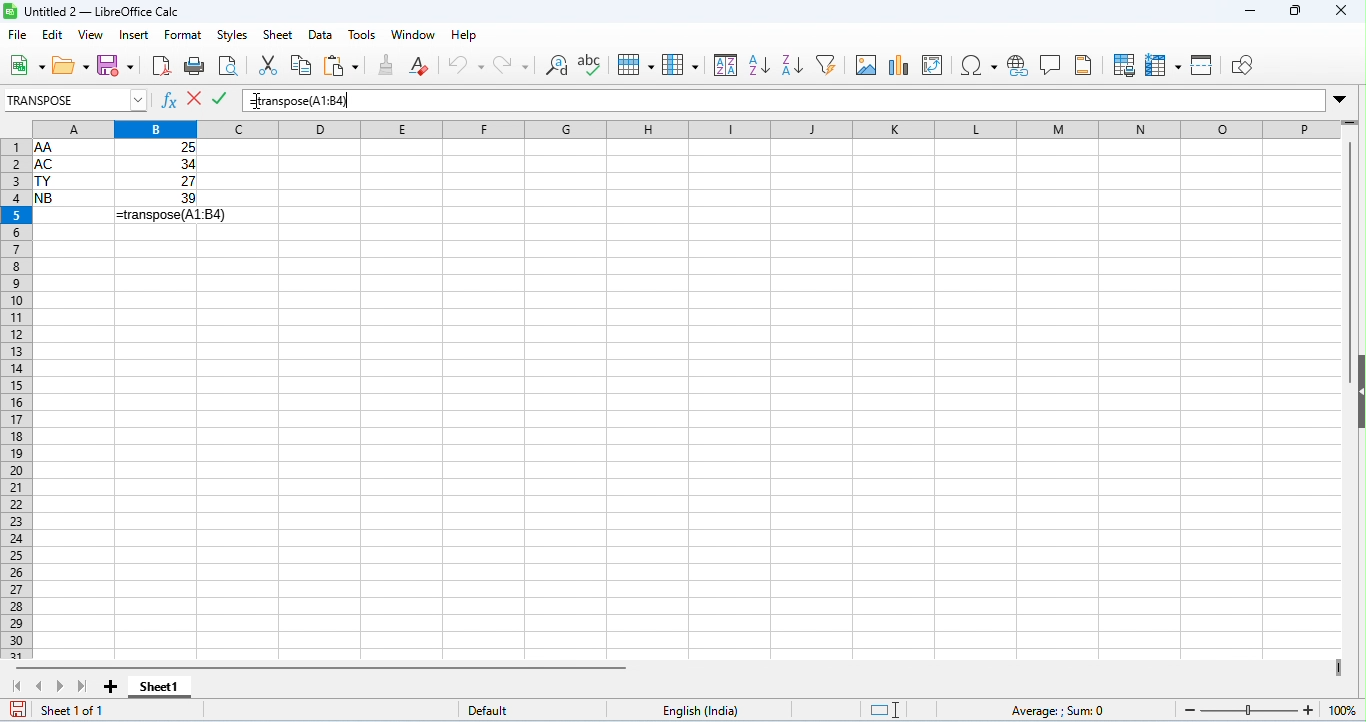 Image resolution: width=1366 pixels, height=722 pixels. What do you see at coordinates (27, 67) in the screenshot?
I see `new` at bounding box center [27, 67].